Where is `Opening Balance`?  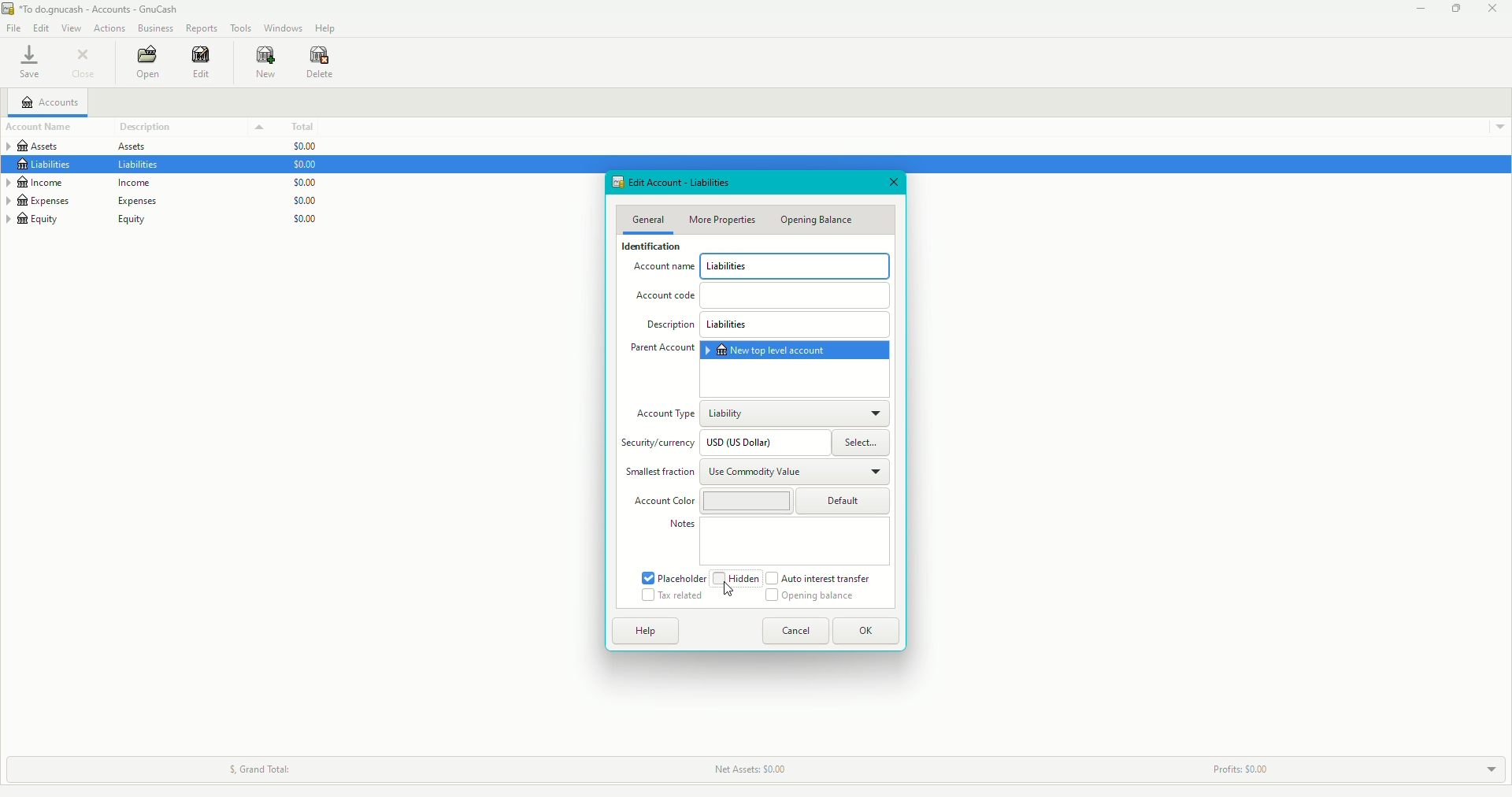 Opening Balance is located at coordinates (821, 221).